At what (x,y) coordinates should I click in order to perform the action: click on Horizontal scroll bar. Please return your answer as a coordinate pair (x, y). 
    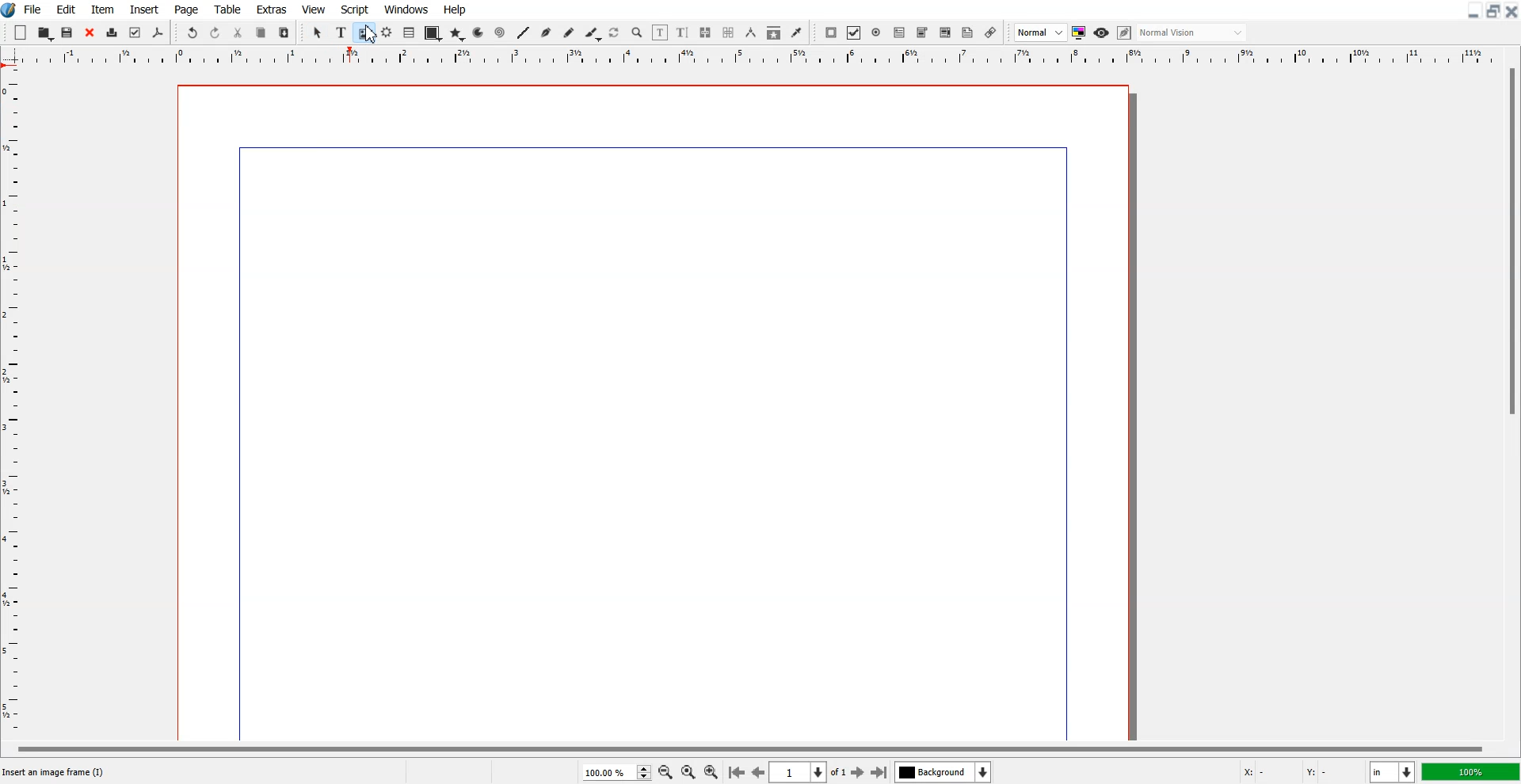
    Looking at the image, I should click on (746, 747).